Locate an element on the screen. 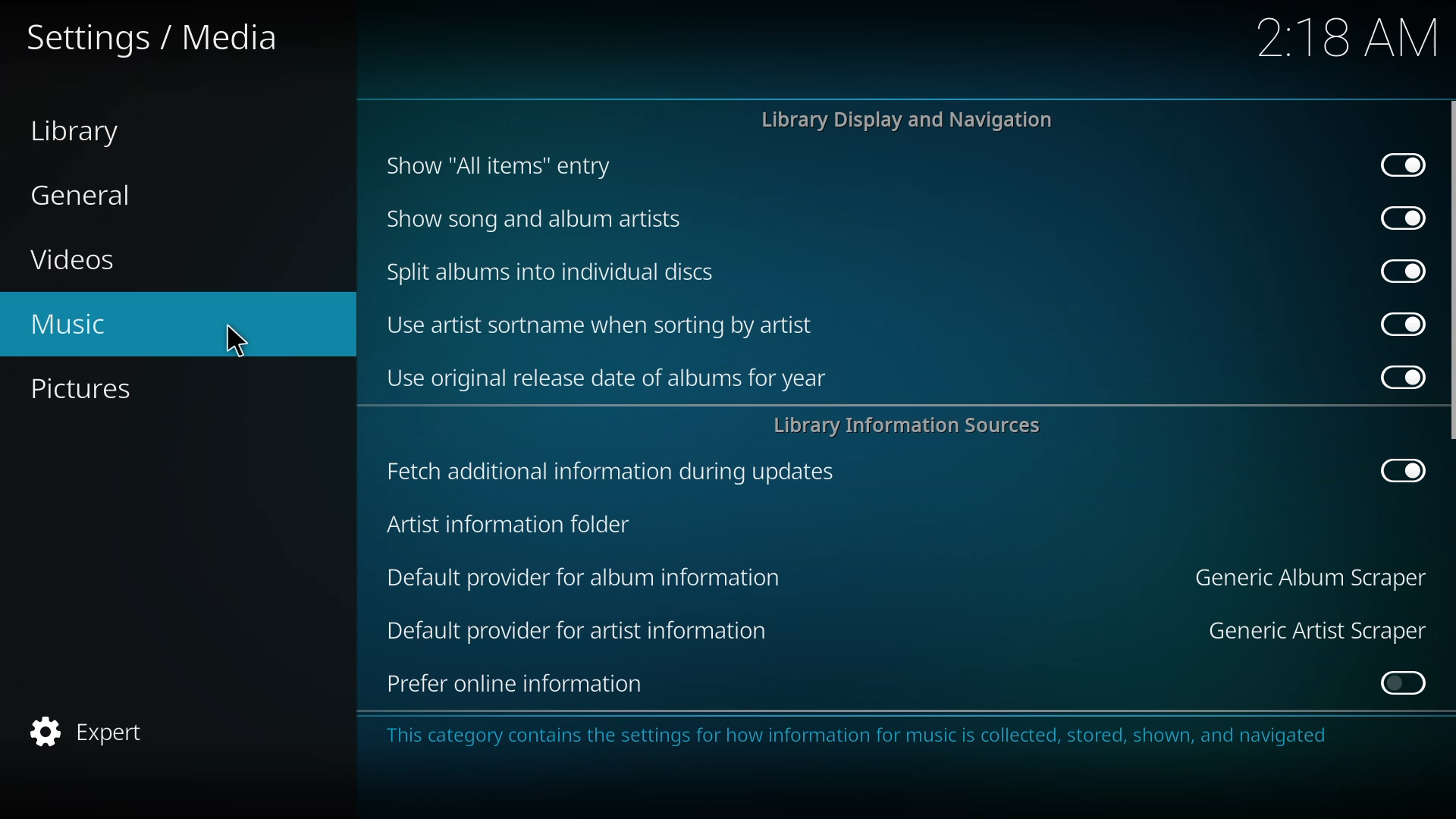  show all items entry is located at coordinates (497, 165).